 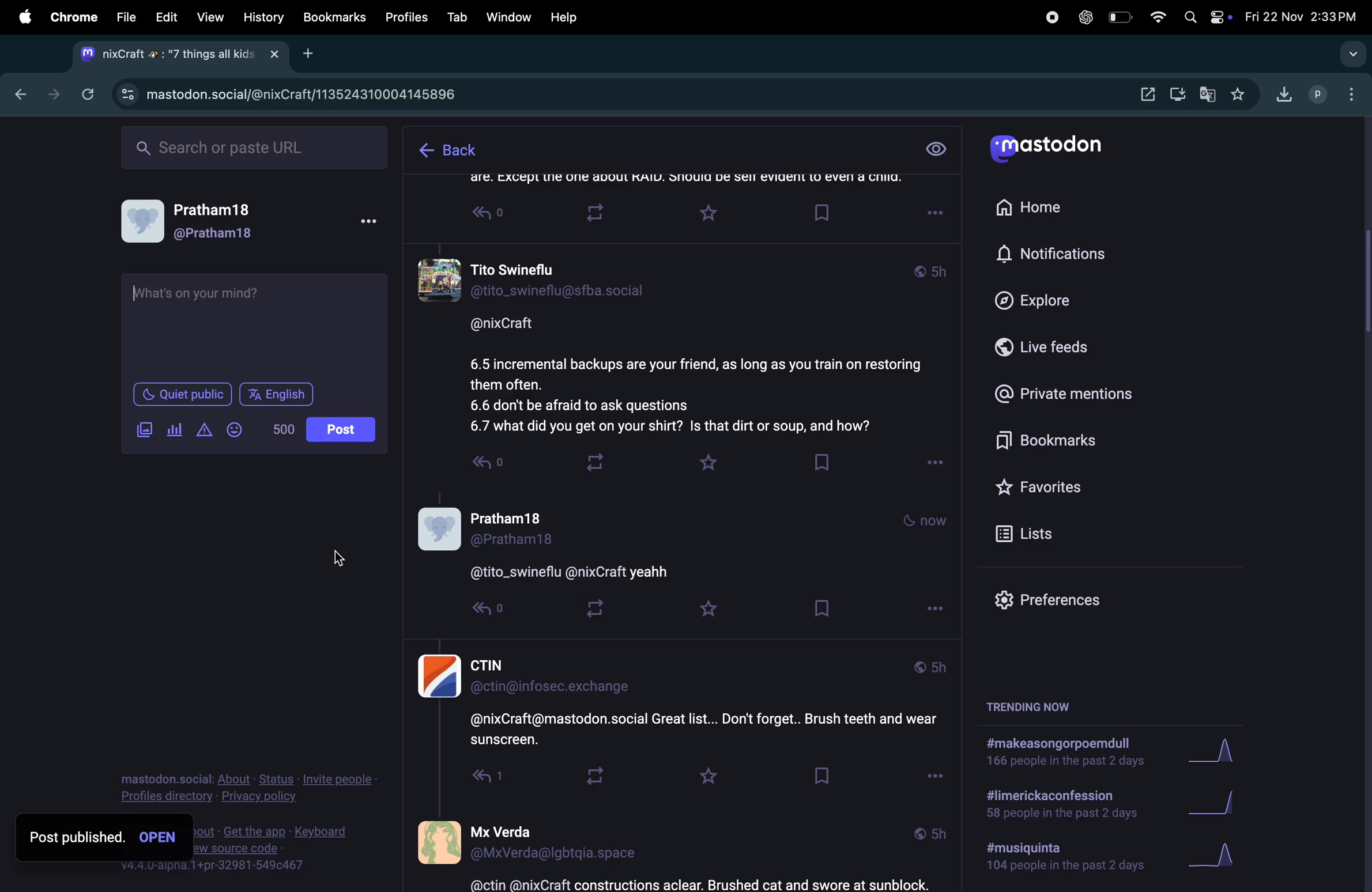 What do you see at coordinates (707, 464) in the screenshot?
I see `favourites` at bounding box center [707, 464].